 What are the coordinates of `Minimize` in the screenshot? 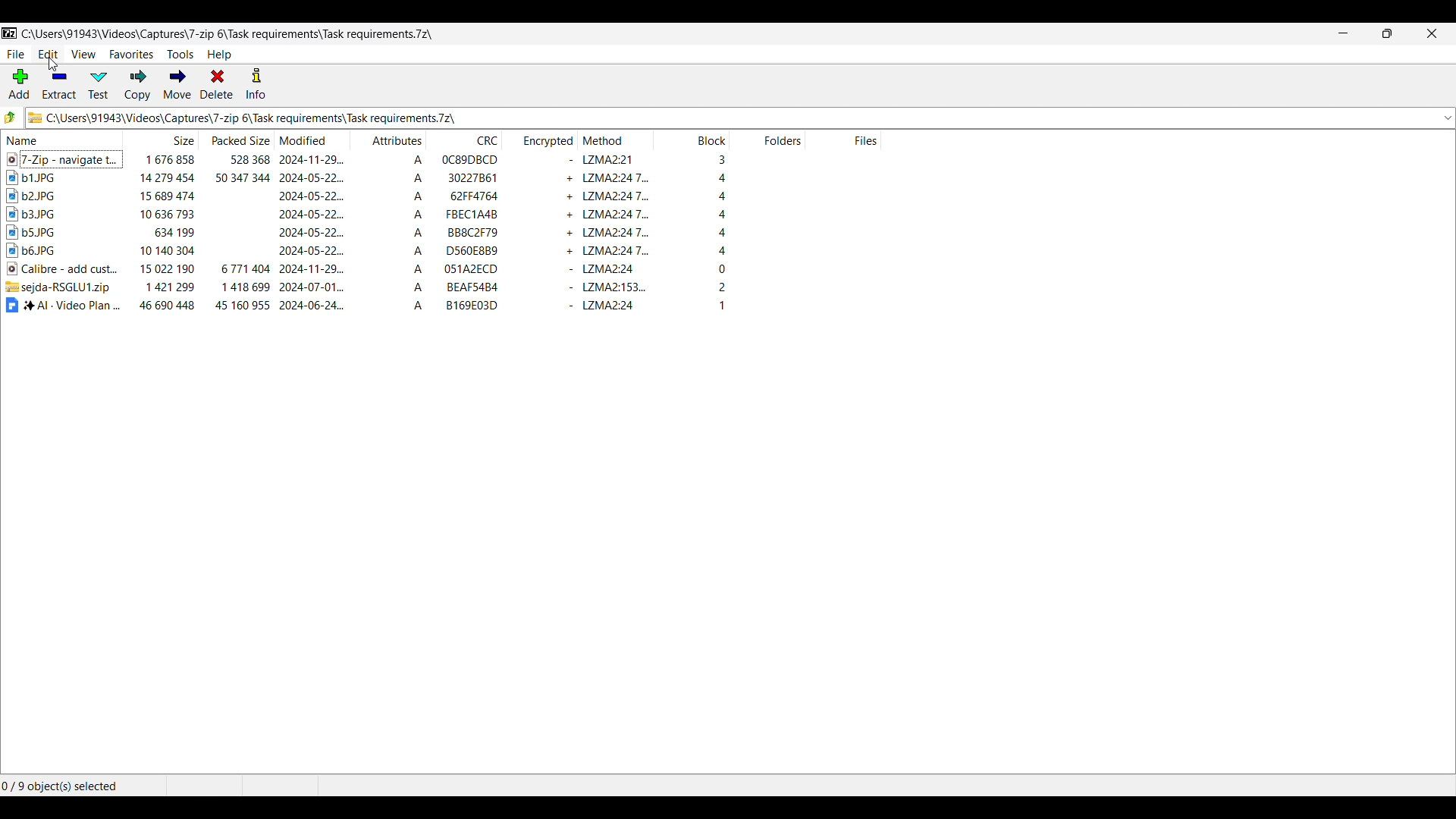 It's located at (1344, 33).